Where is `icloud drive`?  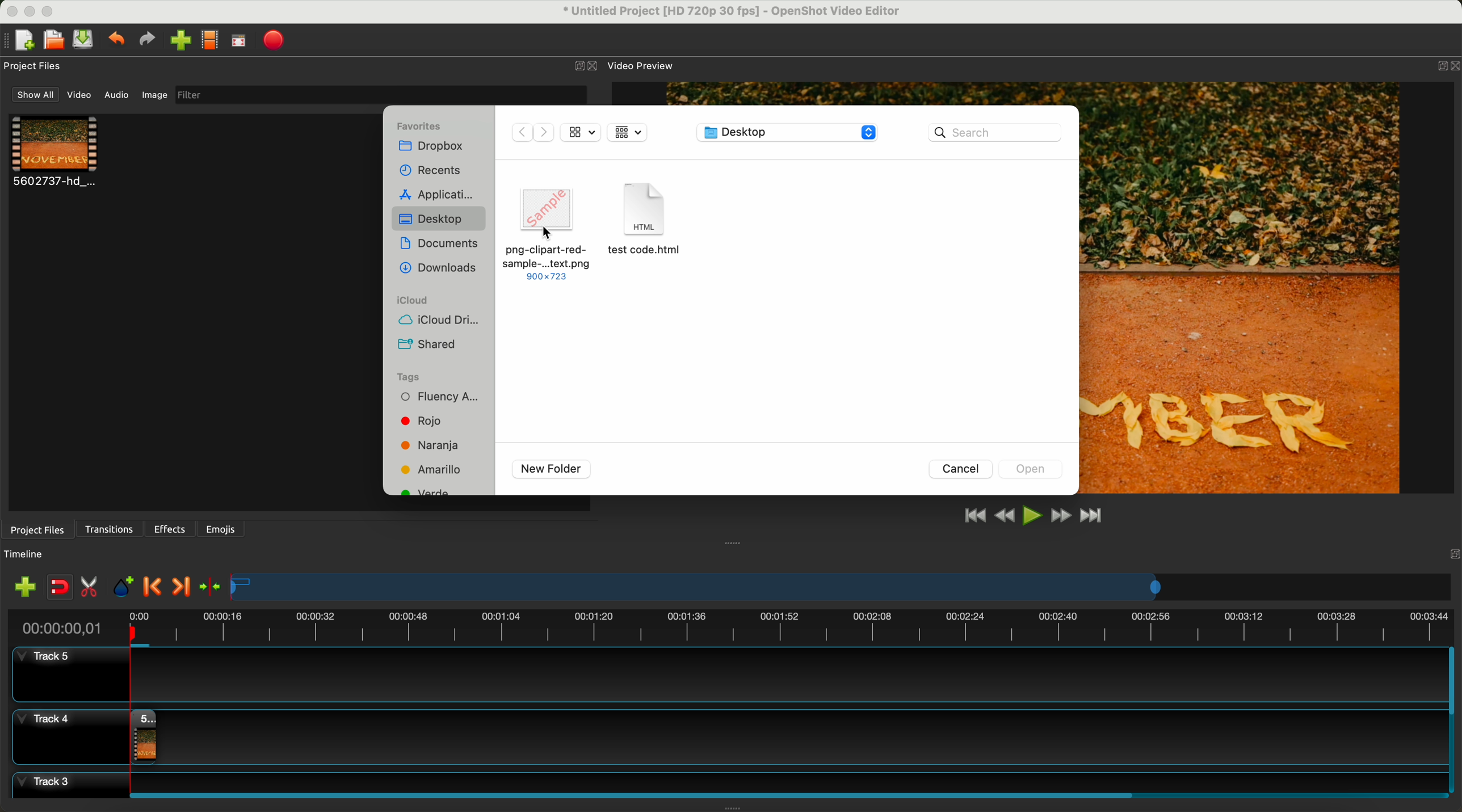 icloud drive is located at coordinates (445, 321).